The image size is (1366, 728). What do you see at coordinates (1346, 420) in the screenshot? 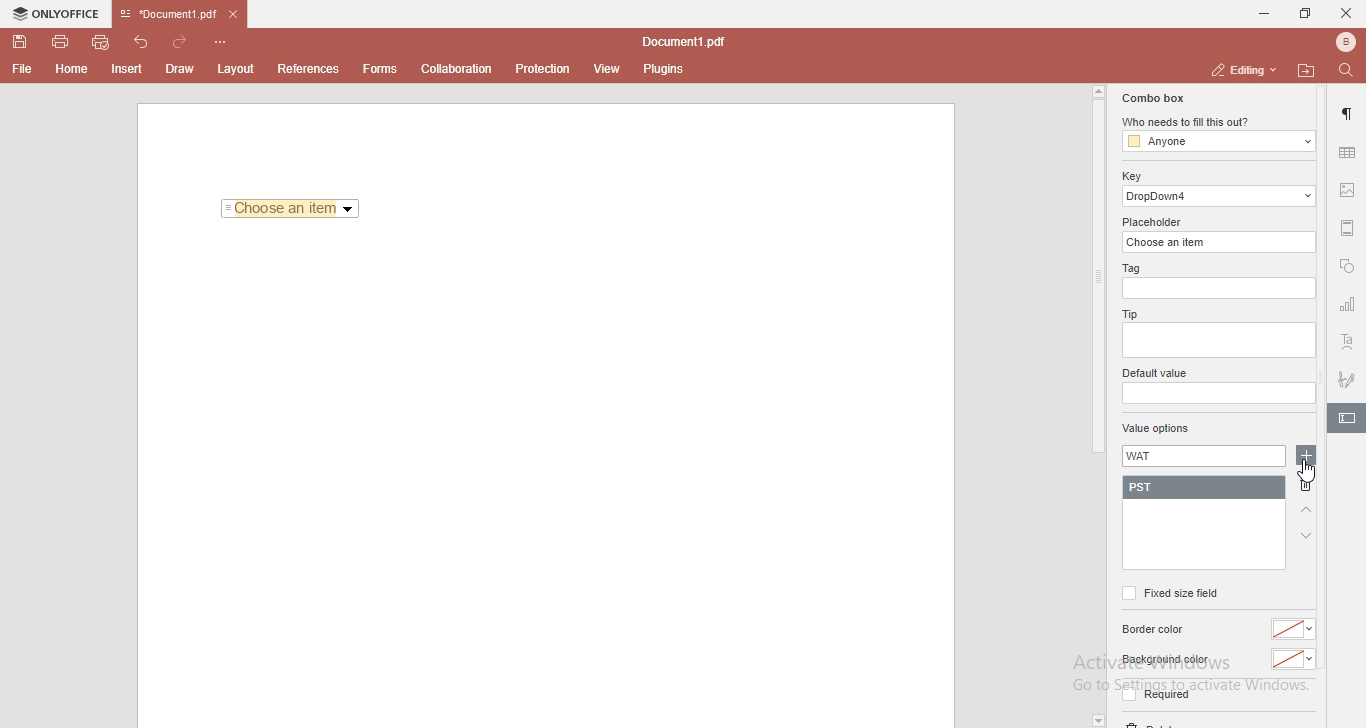
I see `highlighted` at bounding box center [1346, 420].